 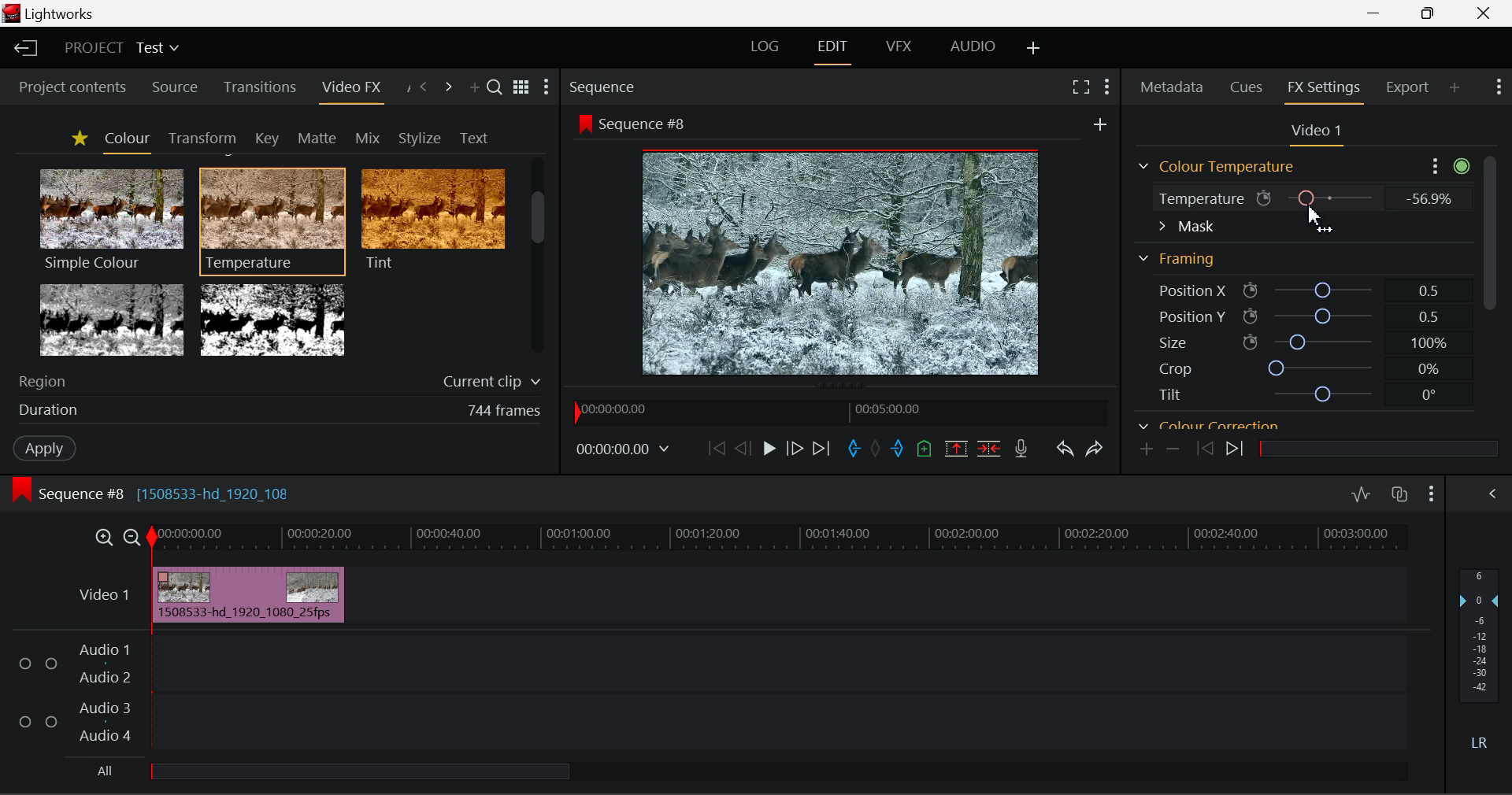 I want to click on Timeline Zoom Out, so click(x=134, y=537).